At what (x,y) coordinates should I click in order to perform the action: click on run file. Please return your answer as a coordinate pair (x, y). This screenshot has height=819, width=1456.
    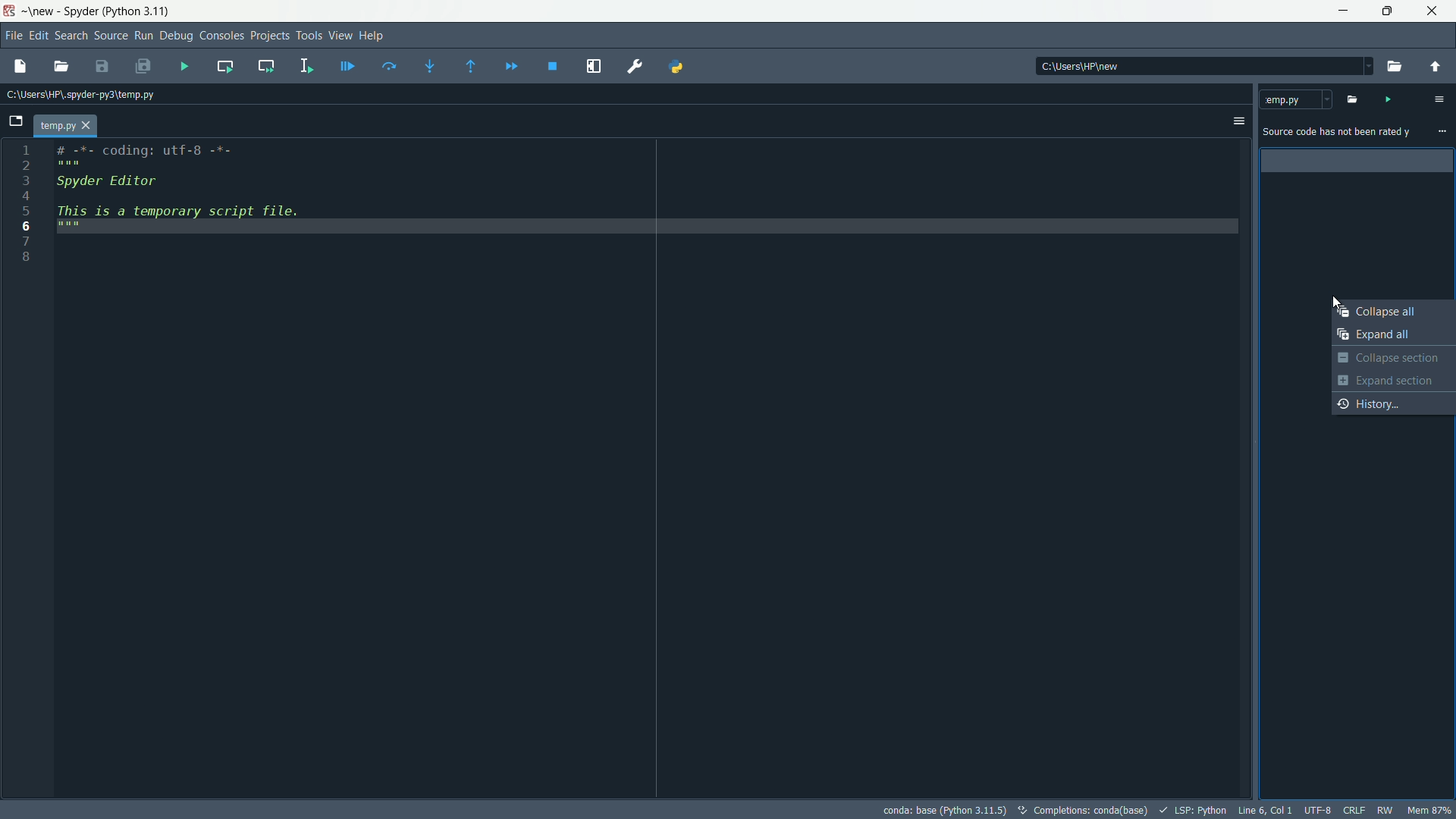
    Looking at the image, I should click on (186, 67).